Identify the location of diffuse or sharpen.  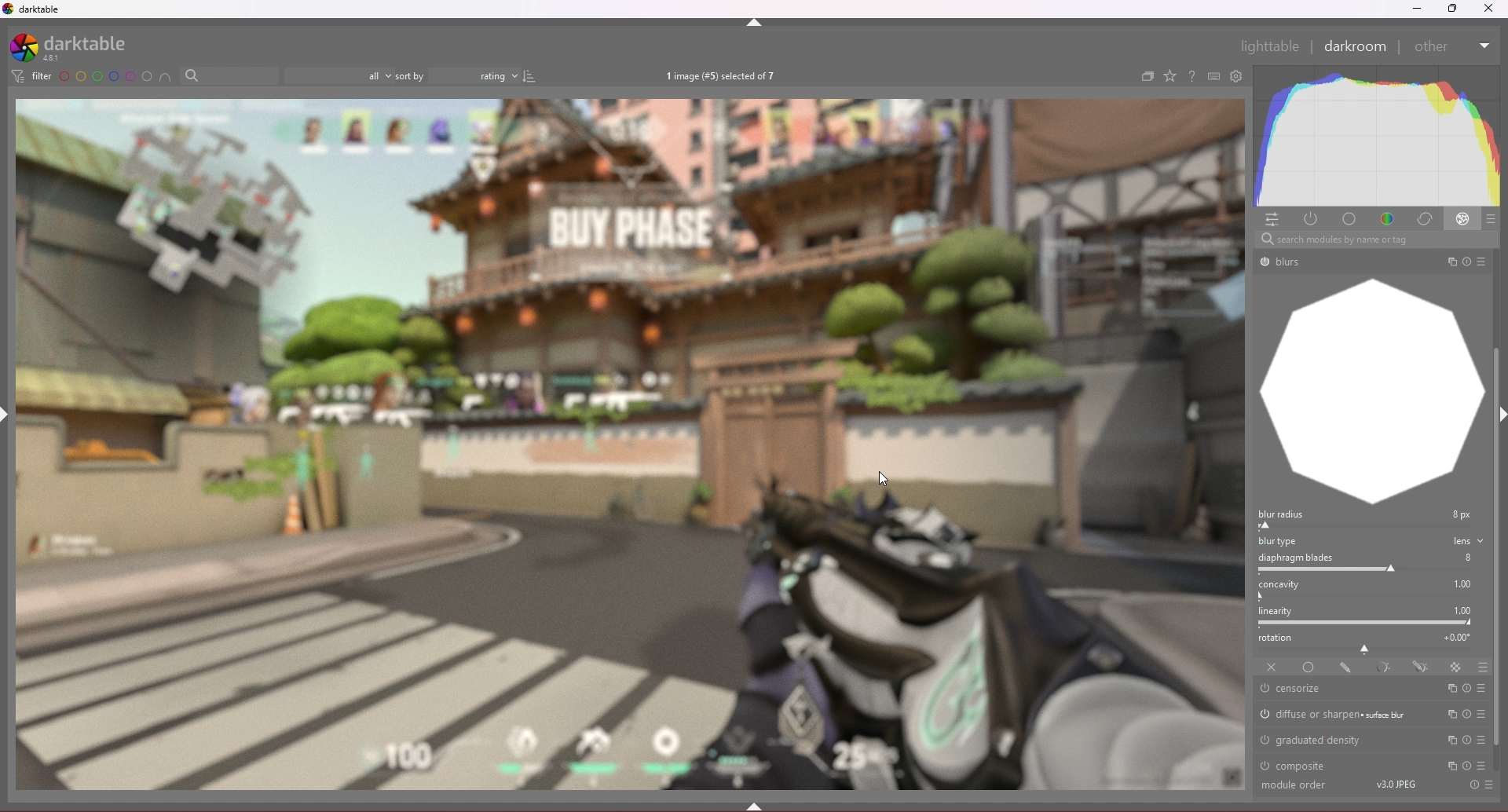
(1338, 715).